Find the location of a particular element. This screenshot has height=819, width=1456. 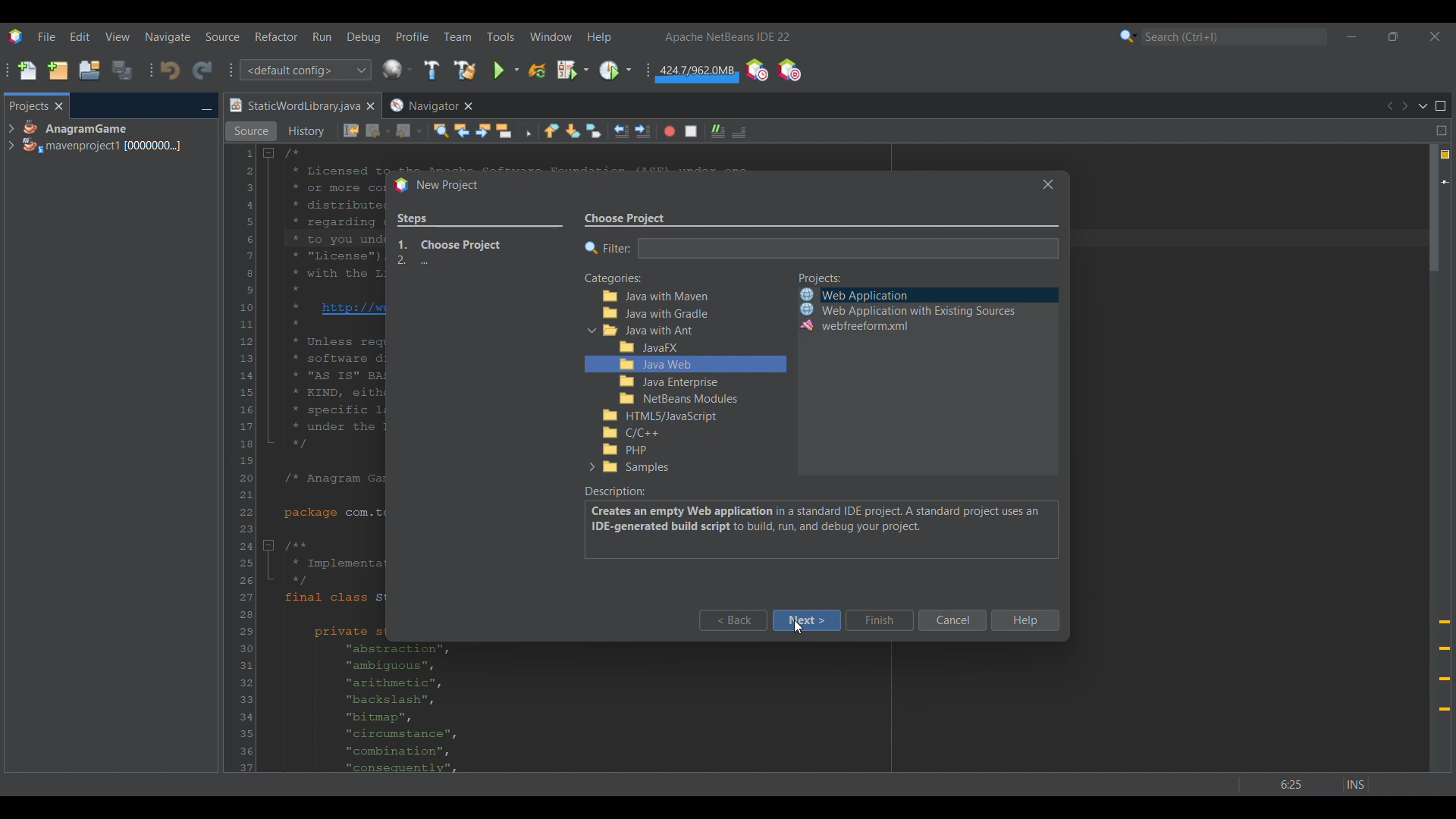

History view is located at coordinates (308, 131).